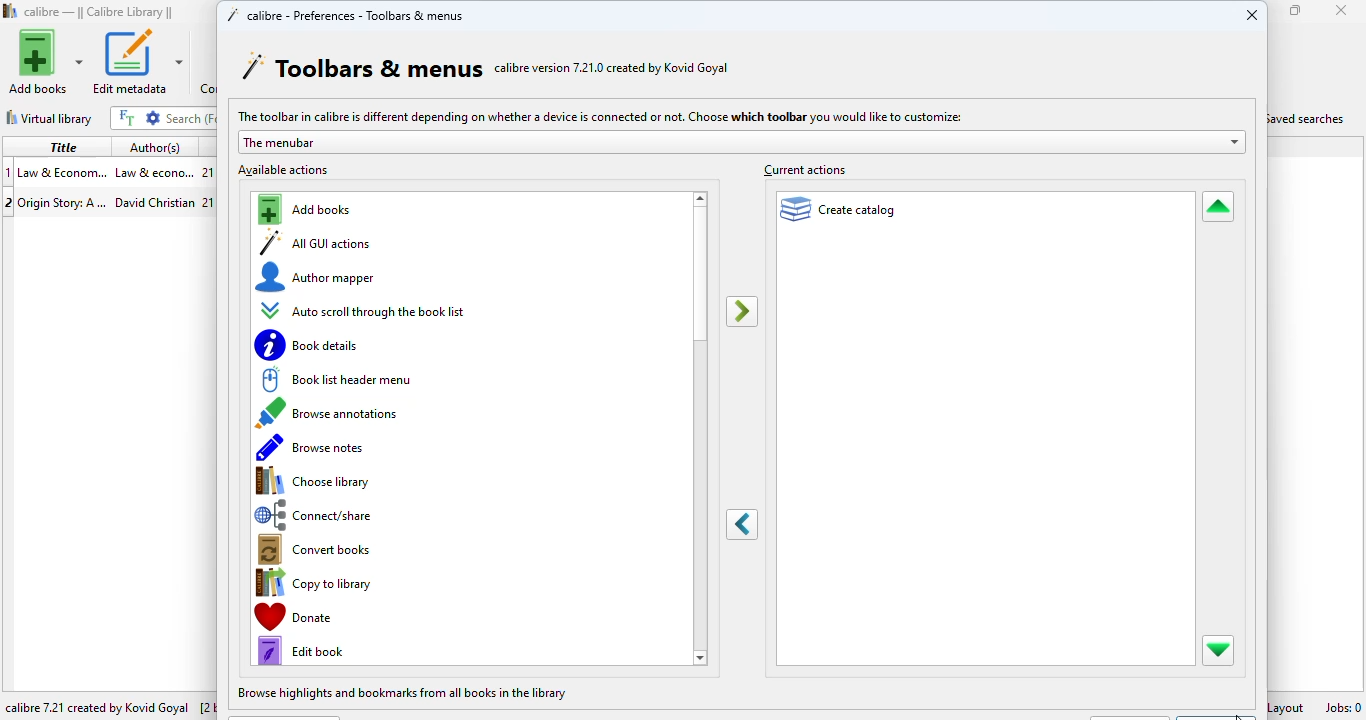 This screenshot has height=720, width=1366. I want to click on title, so click(63, 146).